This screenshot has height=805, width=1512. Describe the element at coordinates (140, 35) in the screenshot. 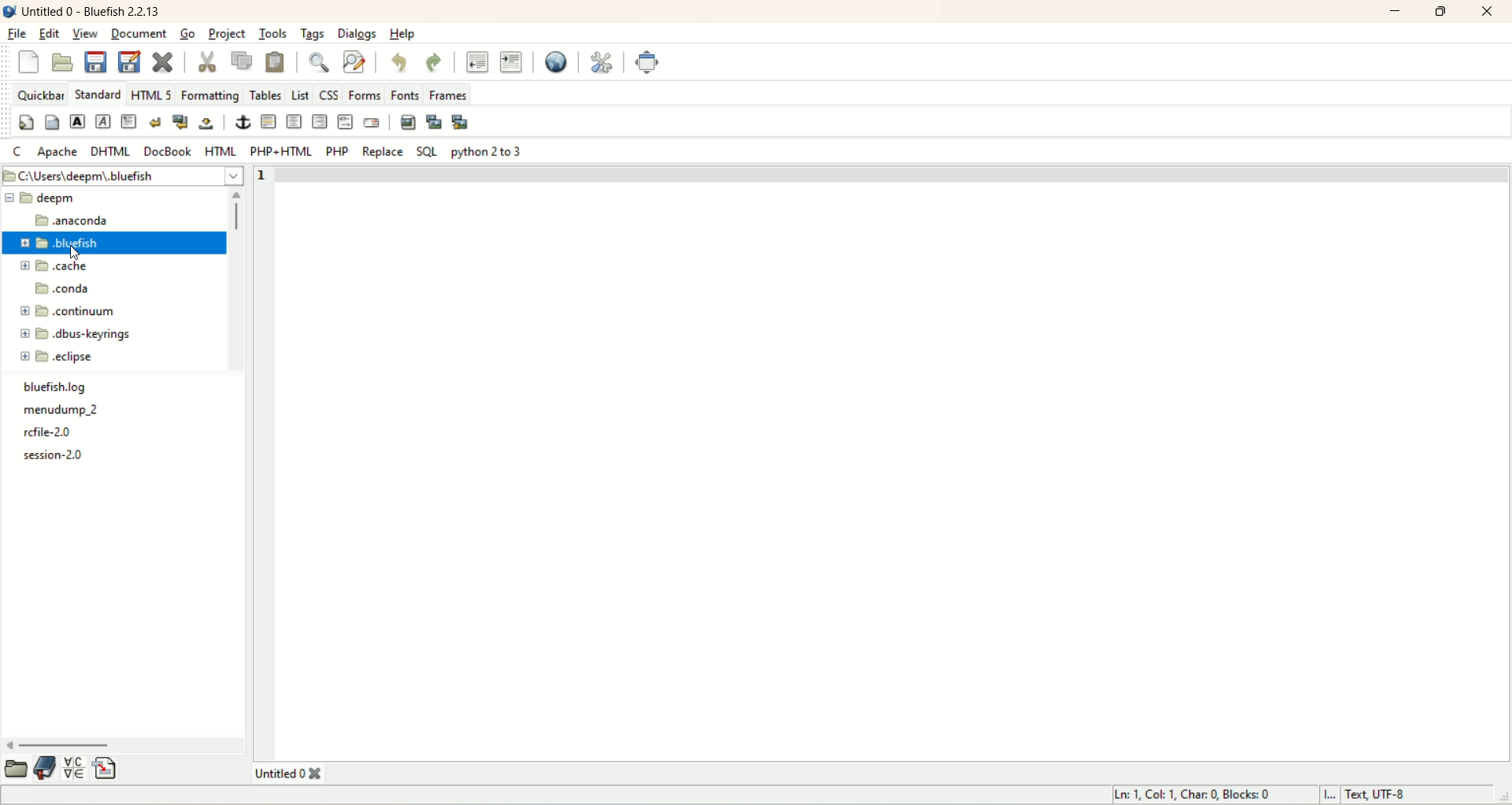

I see `document` at that location.